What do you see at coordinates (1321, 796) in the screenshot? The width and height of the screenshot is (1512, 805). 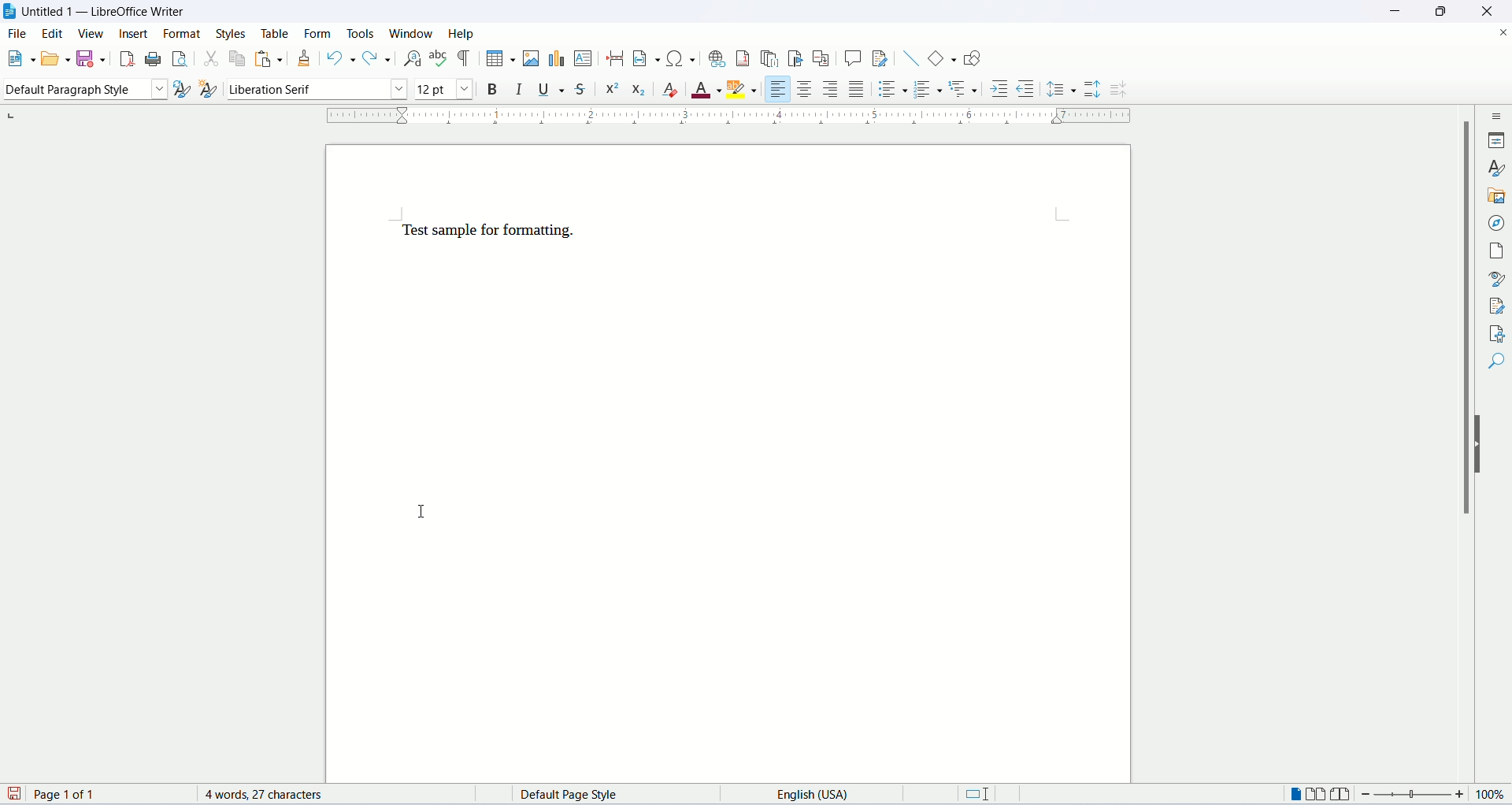 I see `multiple page view` at bounding box center [1321, 796].